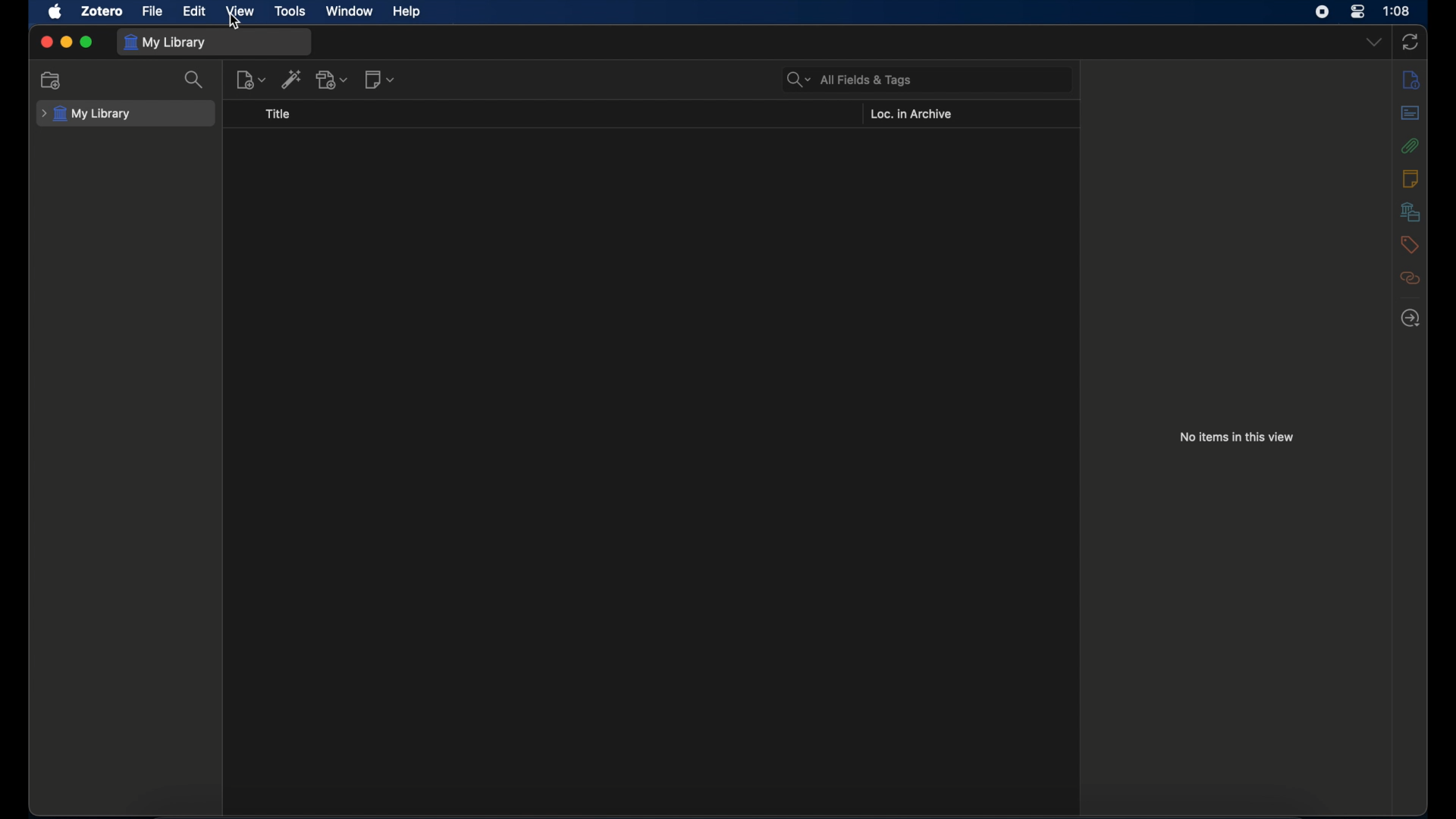 This screenshot has height=819, width=1456. What do you see at coordinates (1410, 178) in the screenshot?
I see `notes` at bounding box center [1410, 178].